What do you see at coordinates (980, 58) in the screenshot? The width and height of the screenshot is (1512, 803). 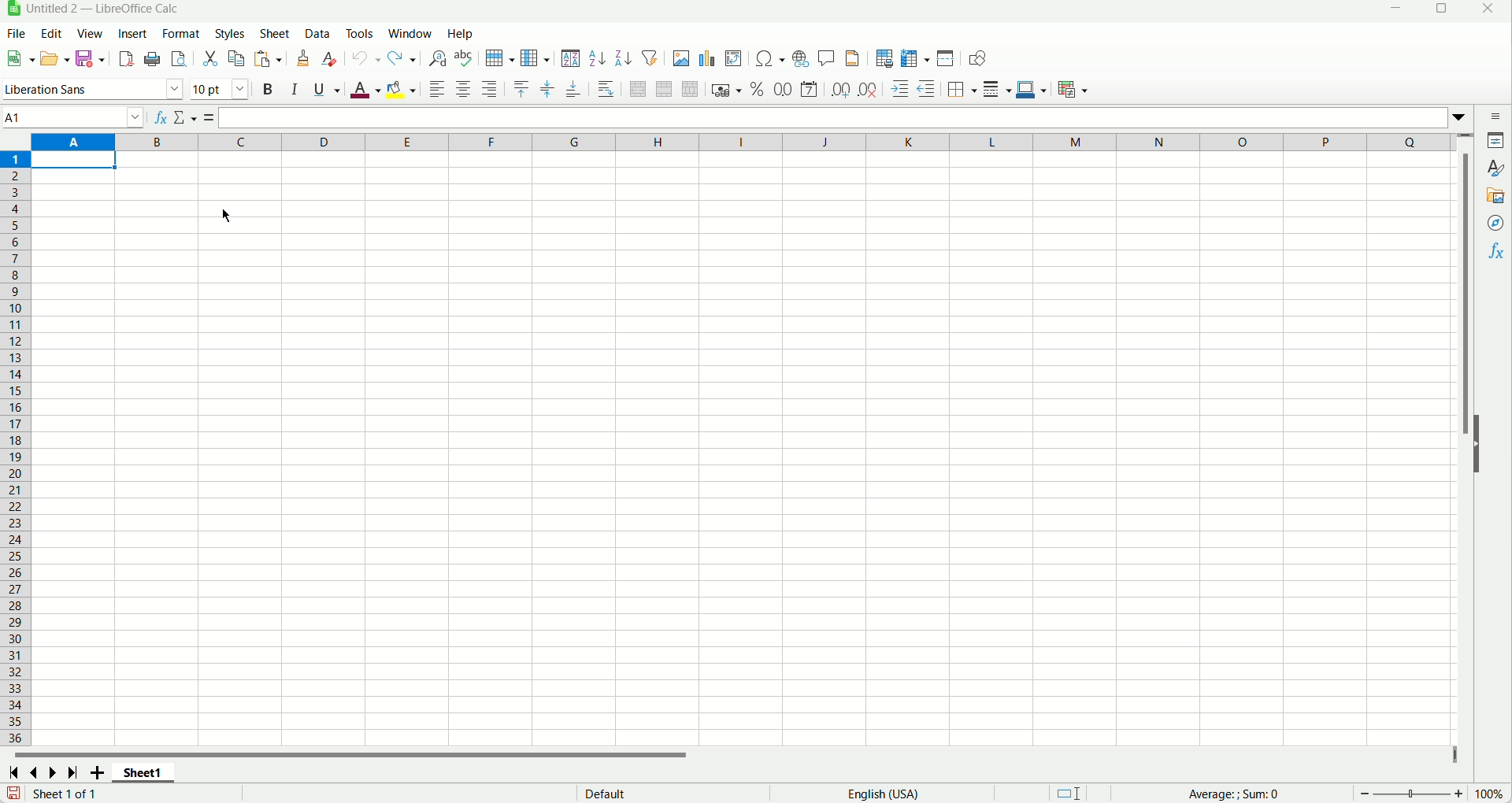 I see `Show draw functions` at bounding box center [980, 58].